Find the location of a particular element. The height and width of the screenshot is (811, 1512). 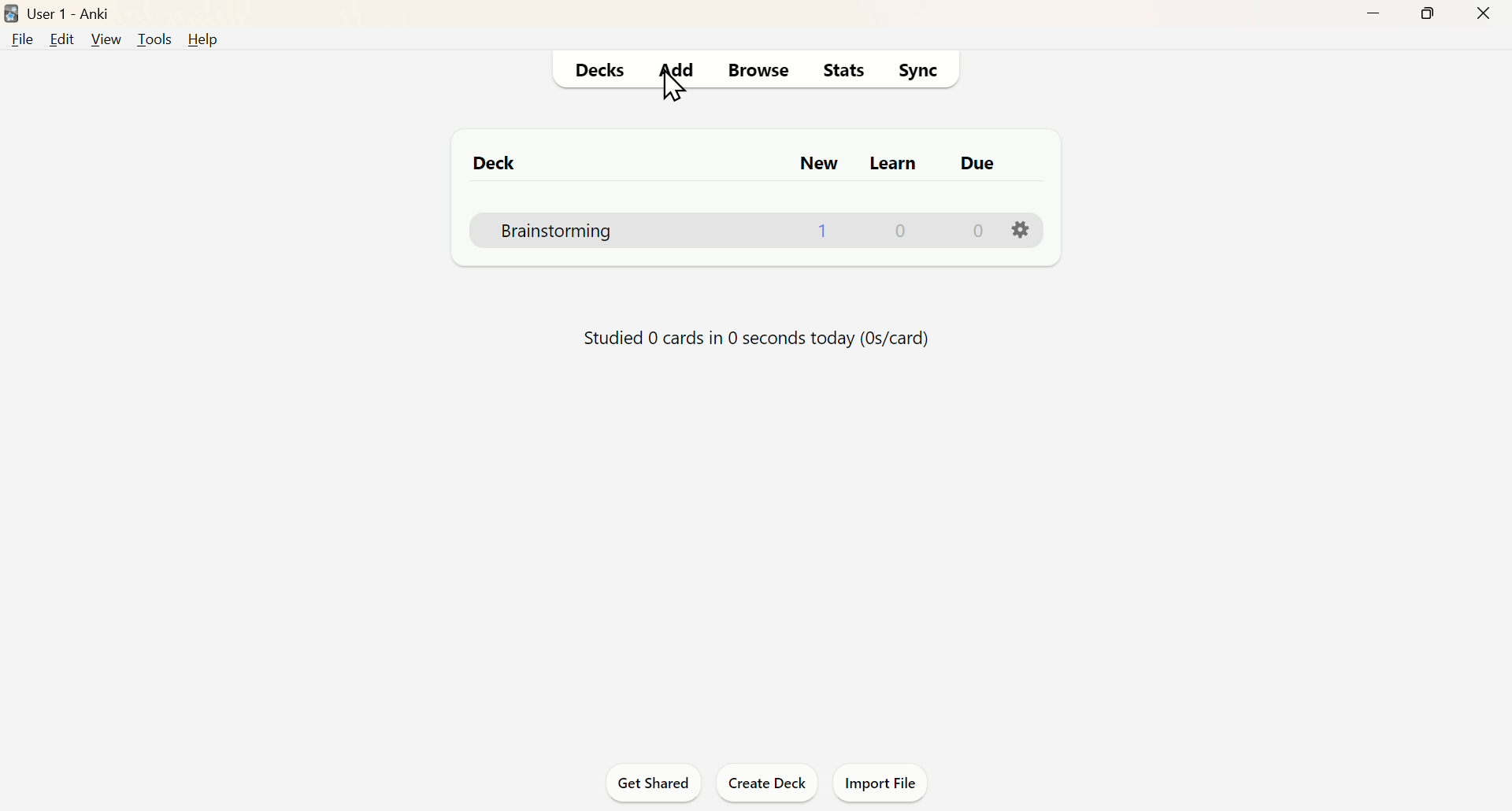

Deck is located at coordinates (489, 161).